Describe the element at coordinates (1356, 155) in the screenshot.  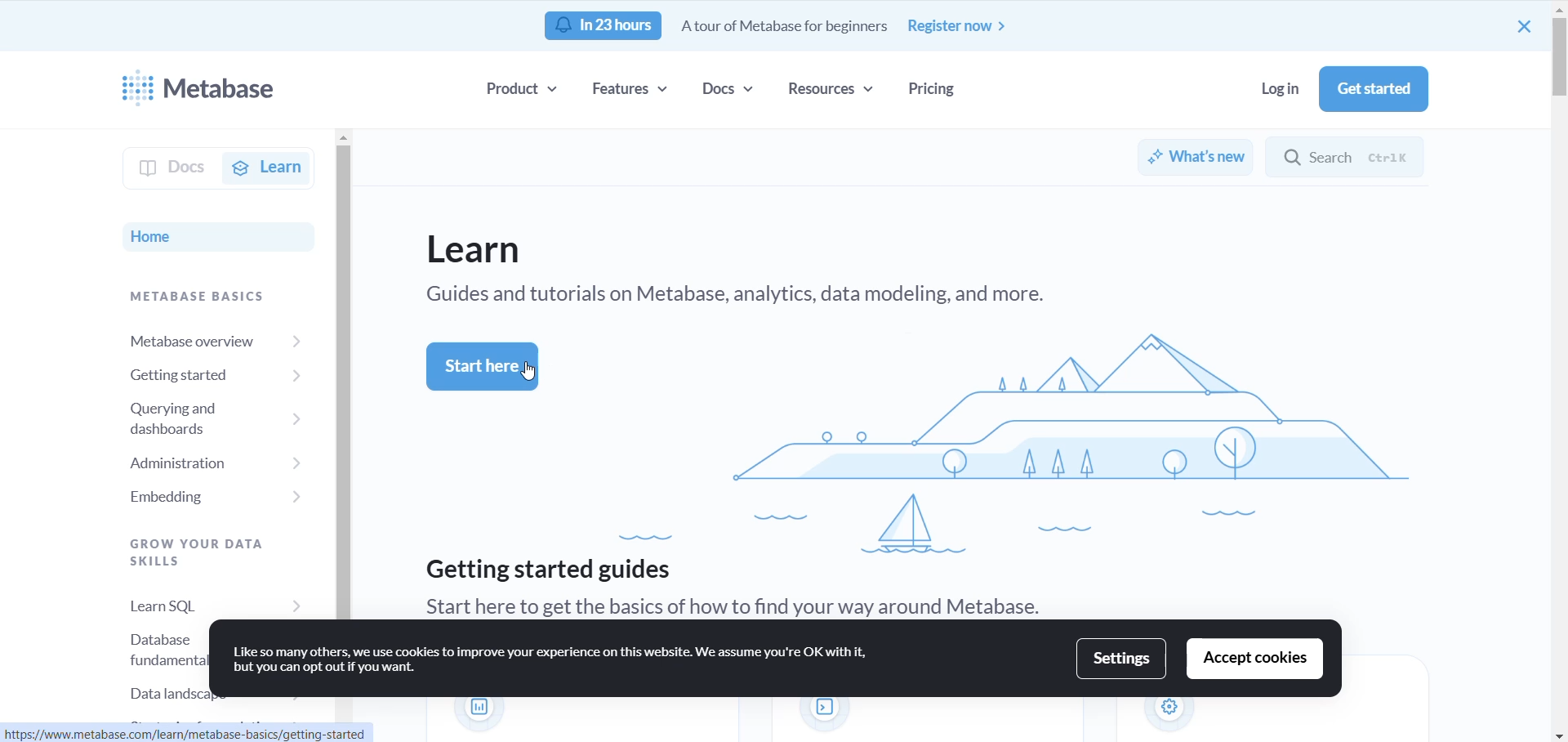
I see `search ` at that location.